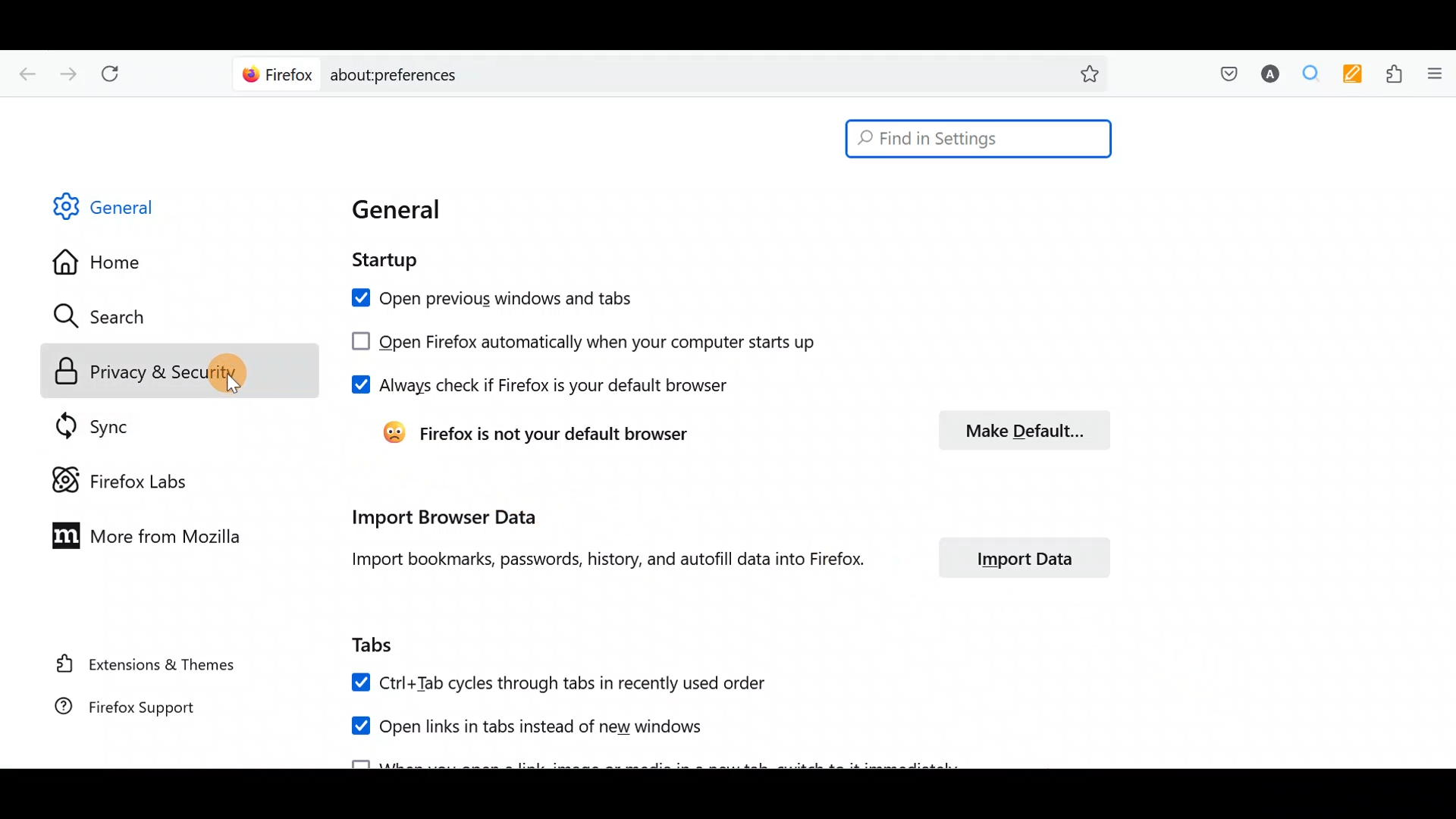 The image size is (1456, 819). Describe the element at coordinates (67, 70) in the screenshot. I see `Go forward one page` at that location.